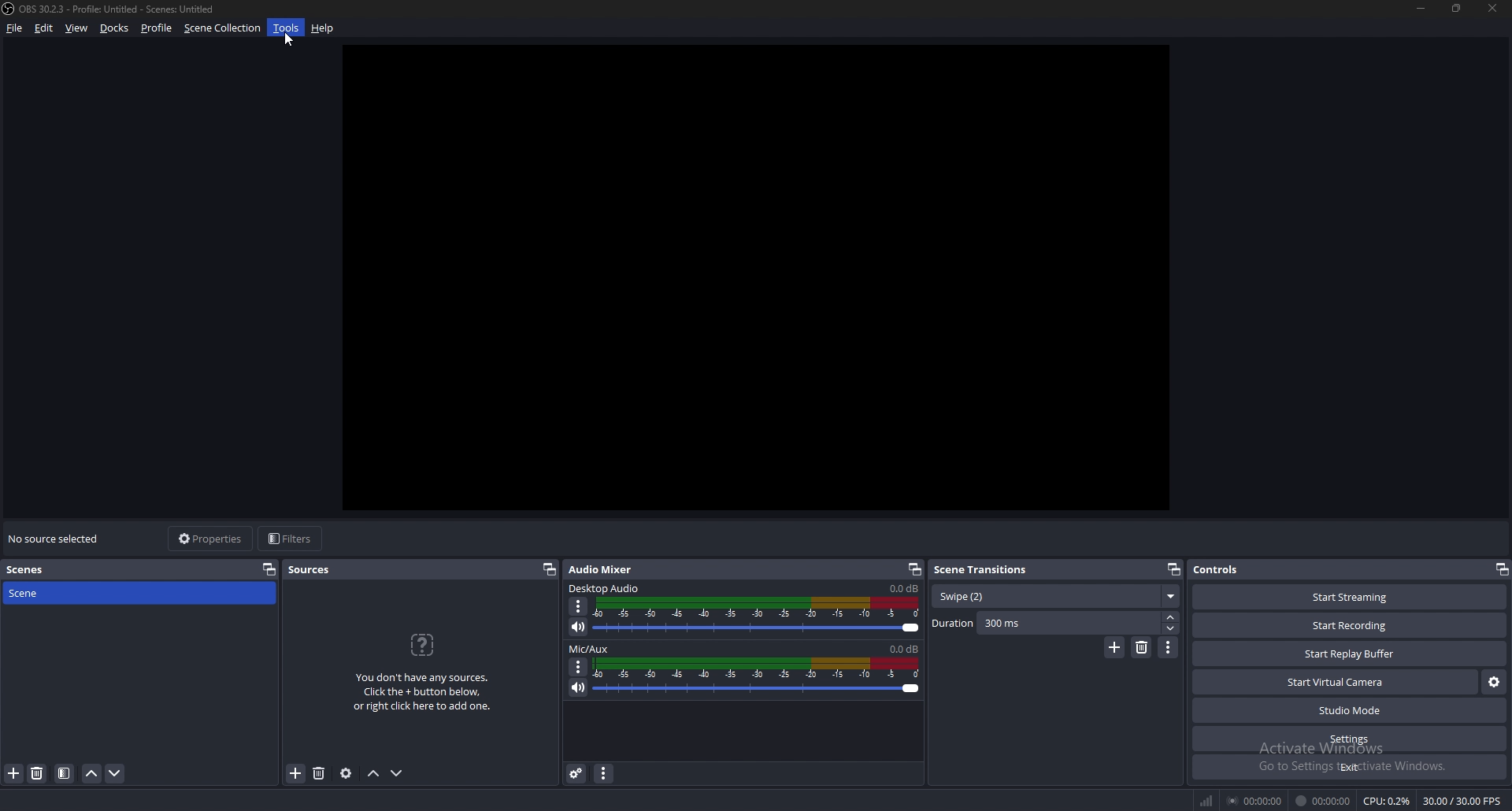 The image size is (1512, 811). I want to click on move scene down, so click(116, 773).